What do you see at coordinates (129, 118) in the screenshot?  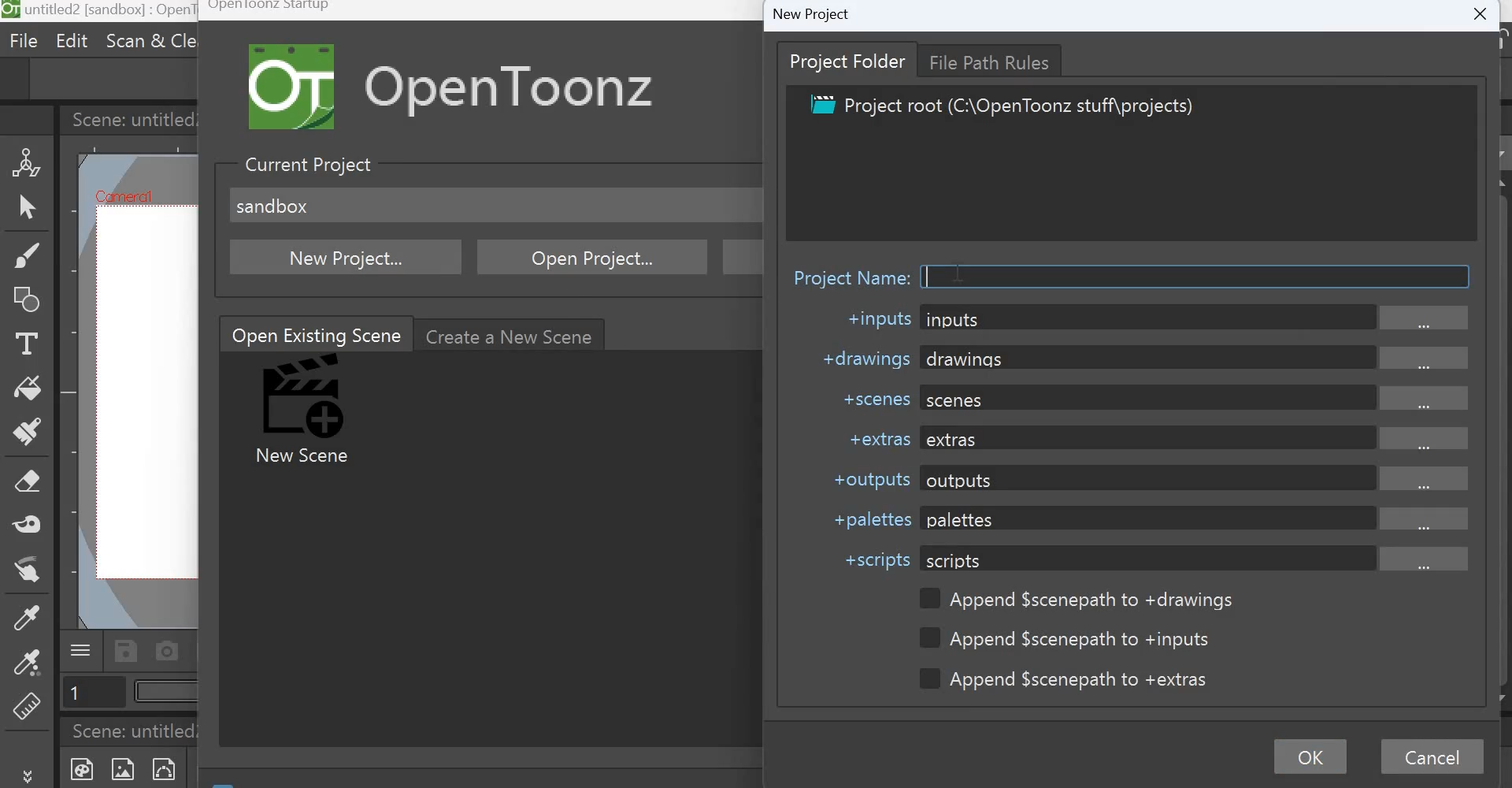 I see `Scene: untitled2` at bounding box center [129, 118].